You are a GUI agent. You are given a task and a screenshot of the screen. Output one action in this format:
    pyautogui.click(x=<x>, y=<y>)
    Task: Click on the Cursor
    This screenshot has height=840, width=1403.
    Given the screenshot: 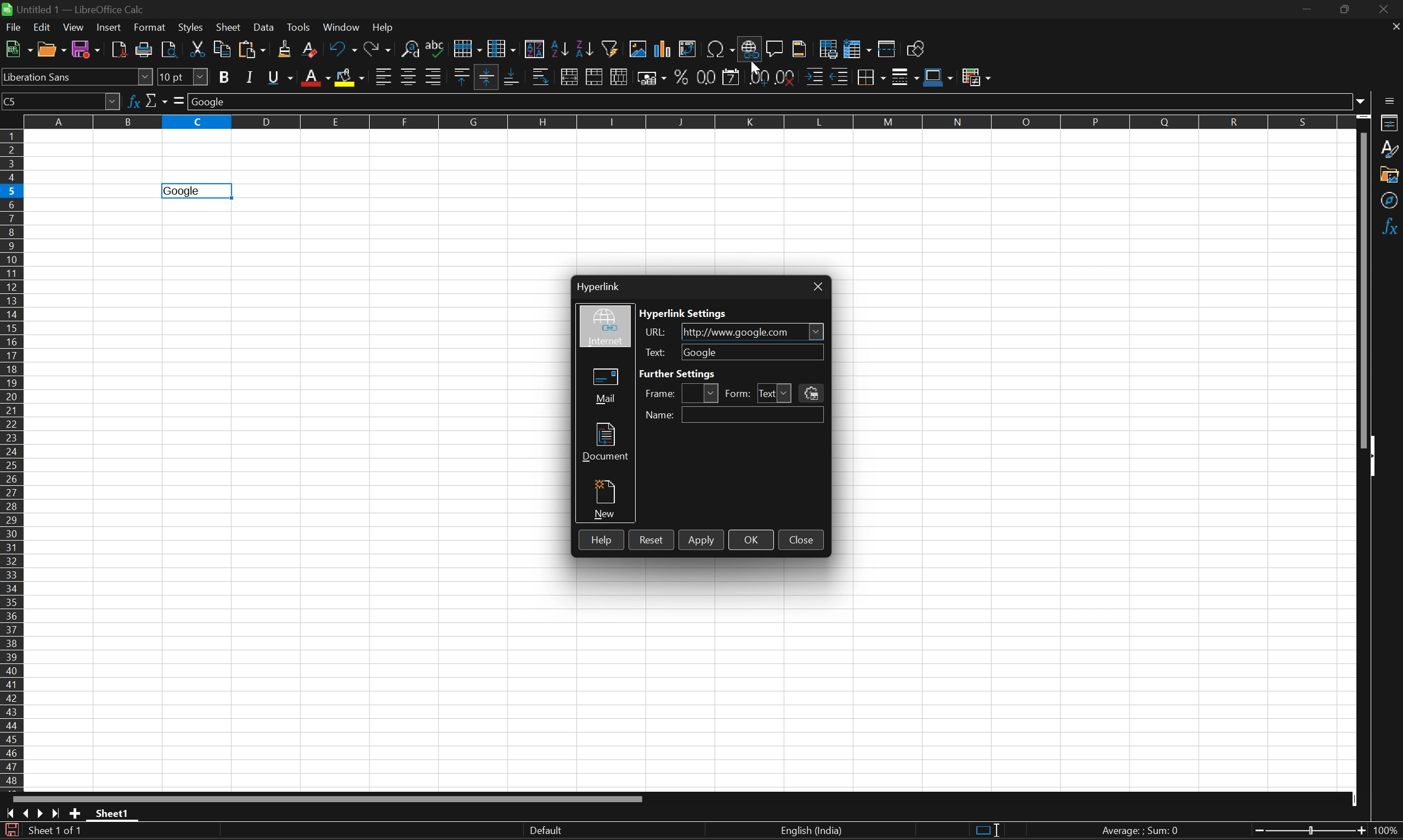 What is the action you would take?
    pyautogui.click(x=756, y=66)
    